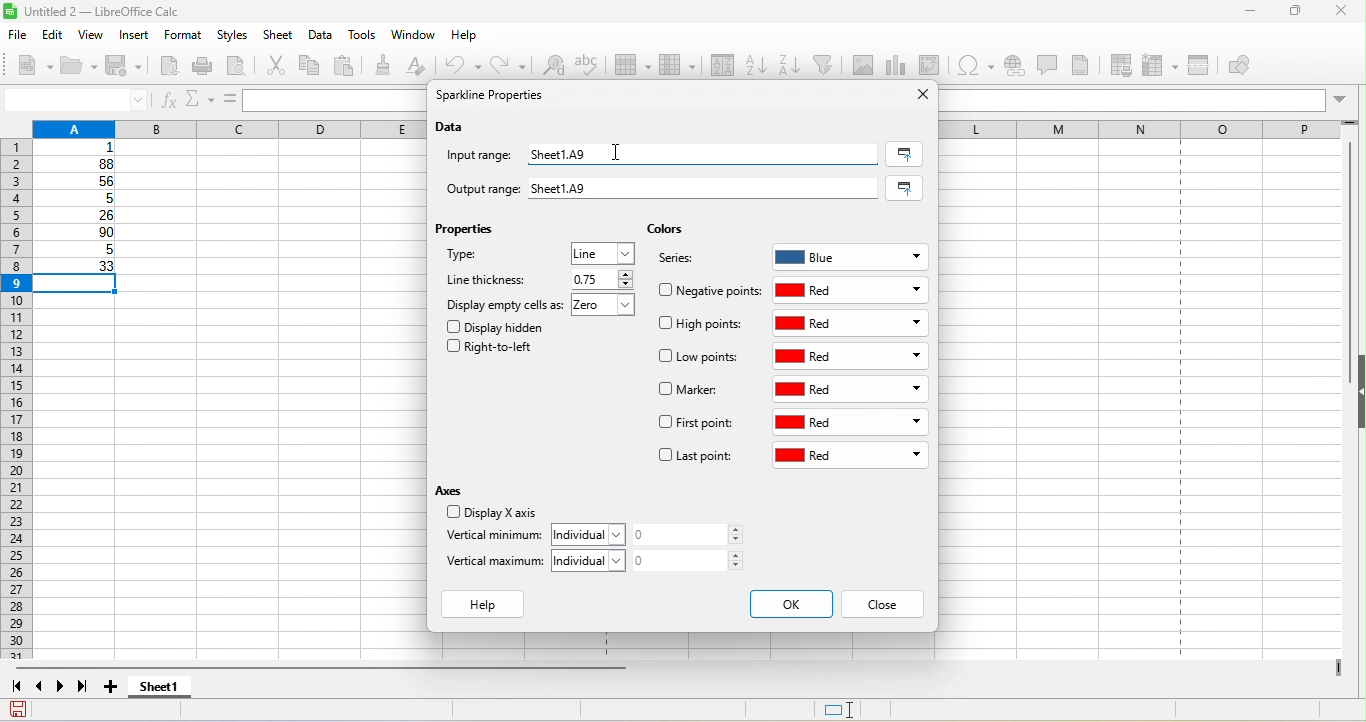  Describe the element at coordinates (228, 99) in the screenshot. I see `formula` at that location.